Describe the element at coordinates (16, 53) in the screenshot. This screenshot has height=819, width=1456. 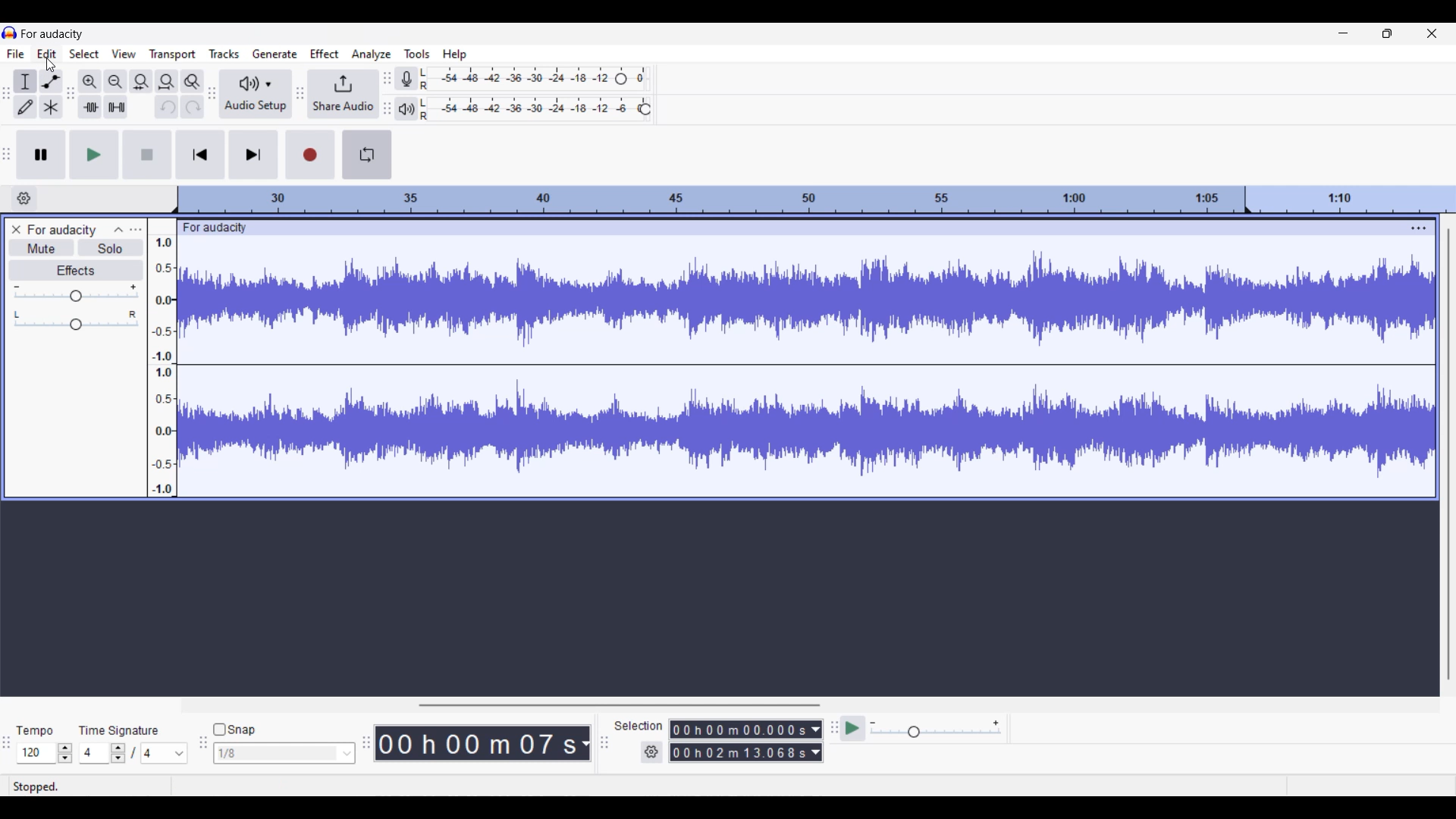
I see `File menu` at that location.